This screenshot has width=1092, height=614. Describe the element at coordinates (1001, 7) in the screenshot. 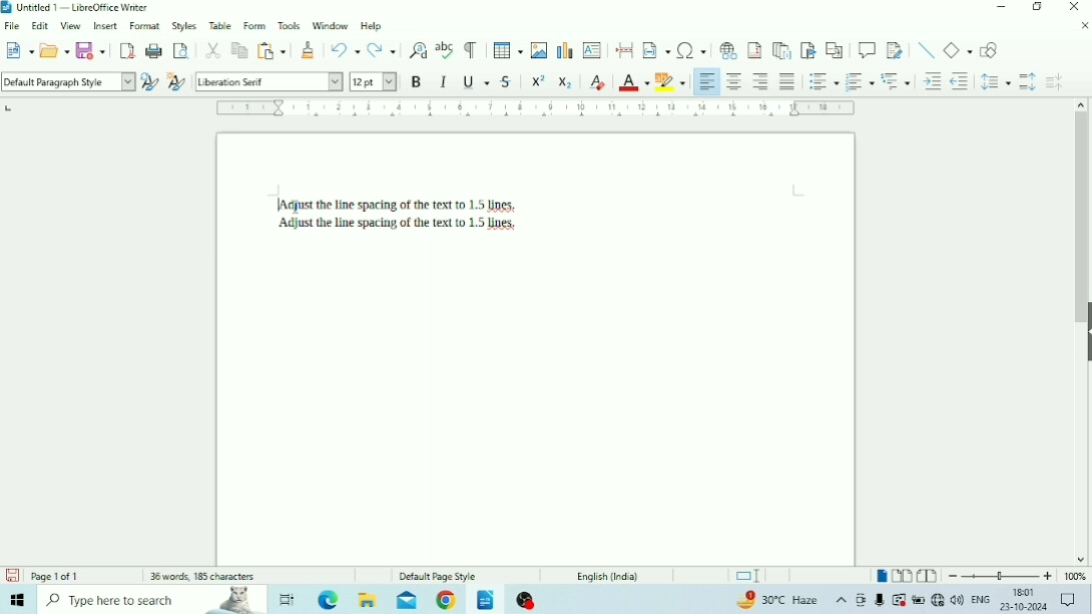

I see `Minimize` at that location.